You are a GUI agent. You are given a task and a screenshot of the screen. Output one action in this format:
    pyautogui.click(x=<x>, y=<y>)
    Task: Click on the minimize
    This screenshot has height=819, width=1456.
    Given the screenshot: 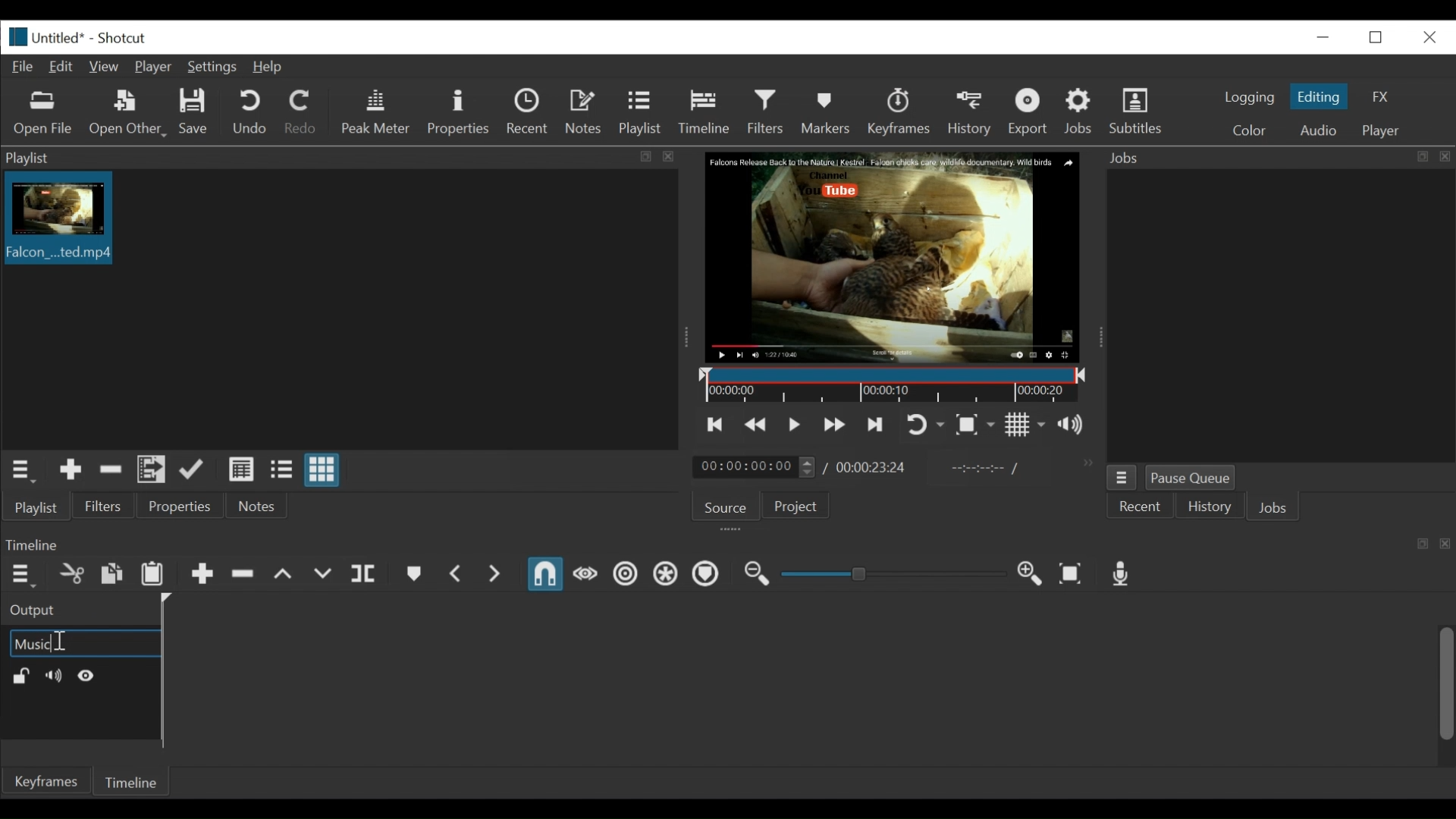 What is the action you would take?
    pyautogui.click(x=1323, y=37)
    